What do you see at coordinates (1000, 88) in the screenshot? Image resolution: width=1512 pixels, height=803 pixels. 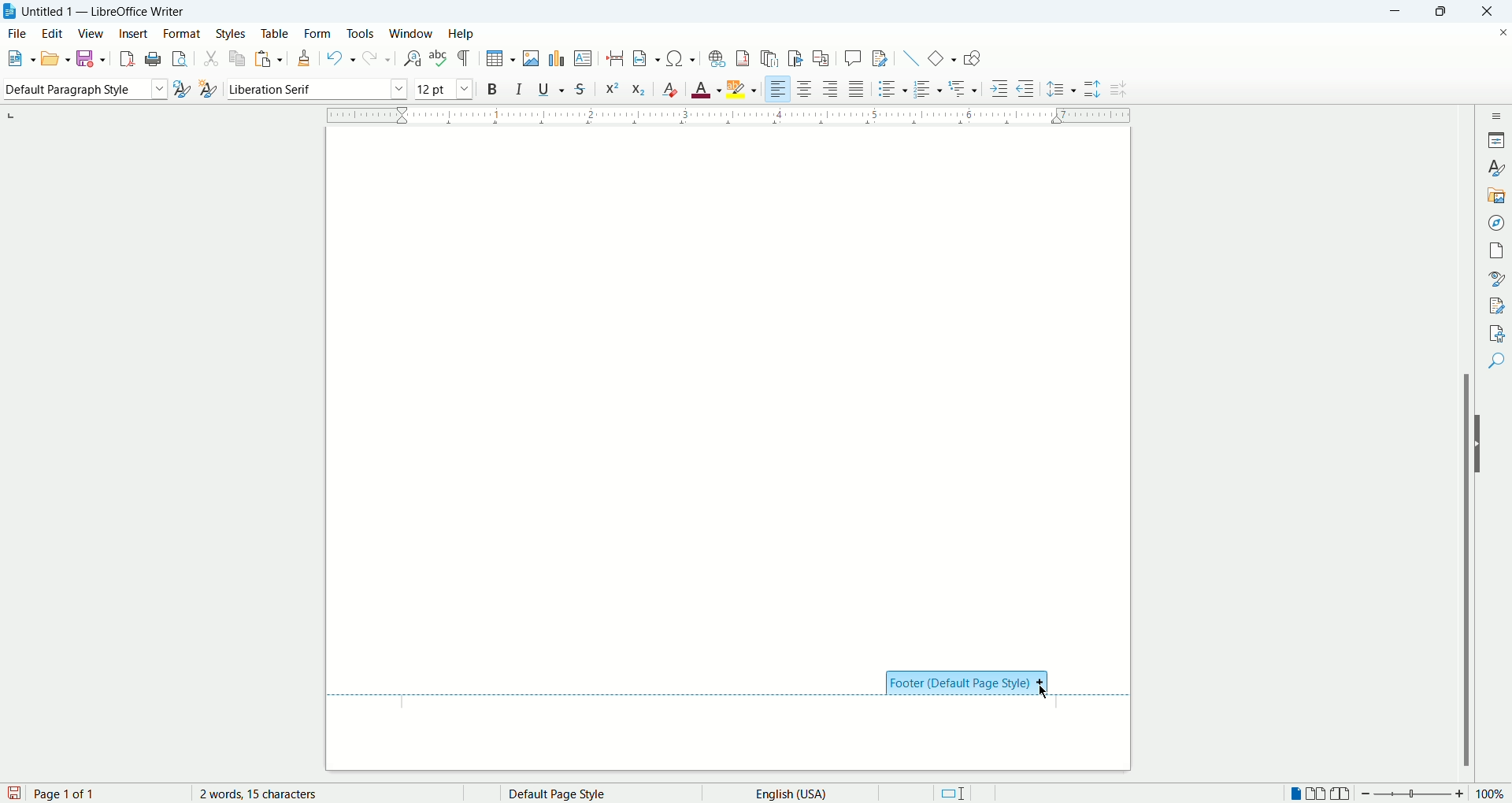 I see `increase indent` at bounding box center [1000, 88].